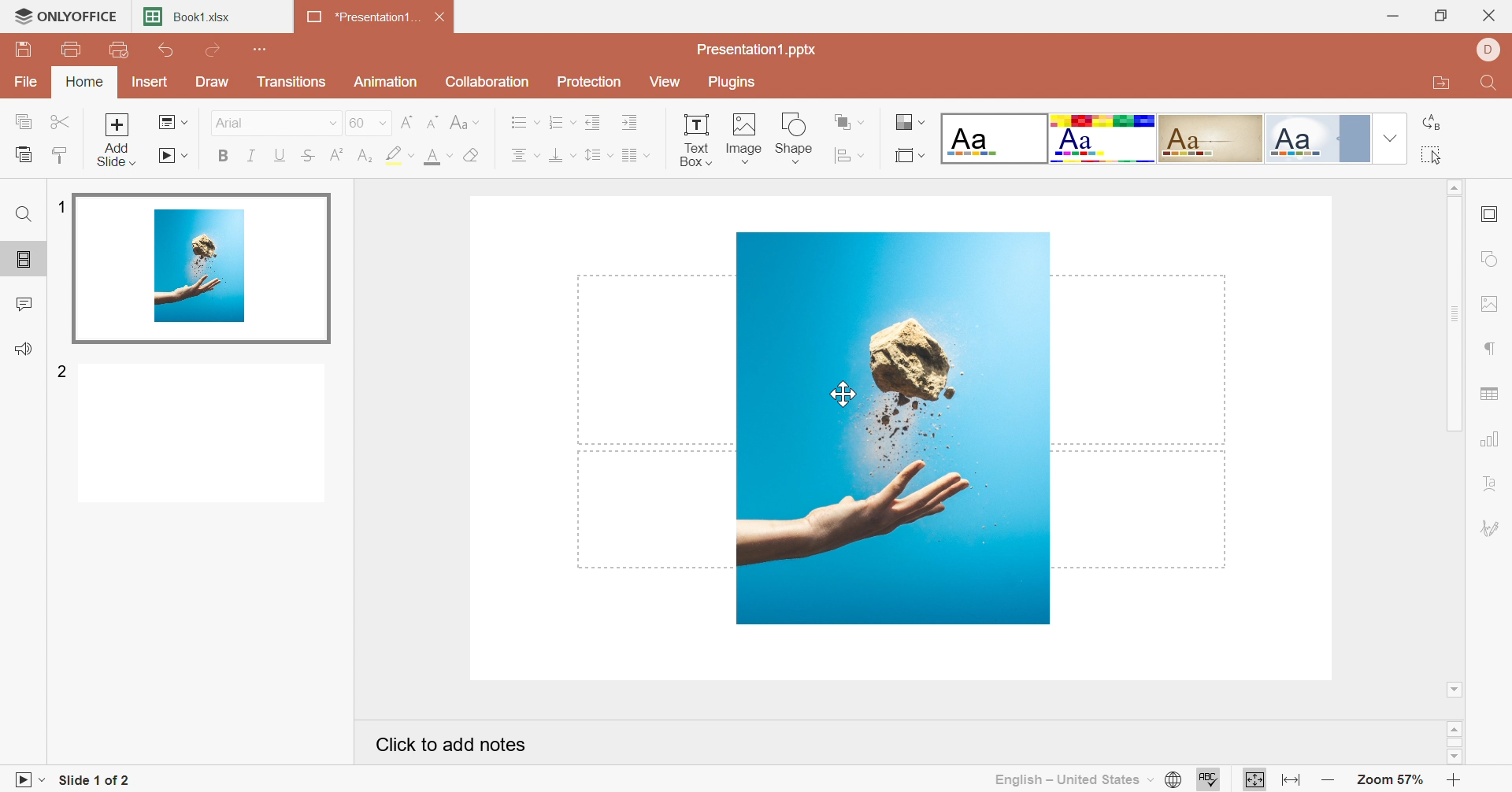 The image size is (1512, 792). Describe the element at coordinates (695, 138) in the screenshot. I see `Text Box` at that location.